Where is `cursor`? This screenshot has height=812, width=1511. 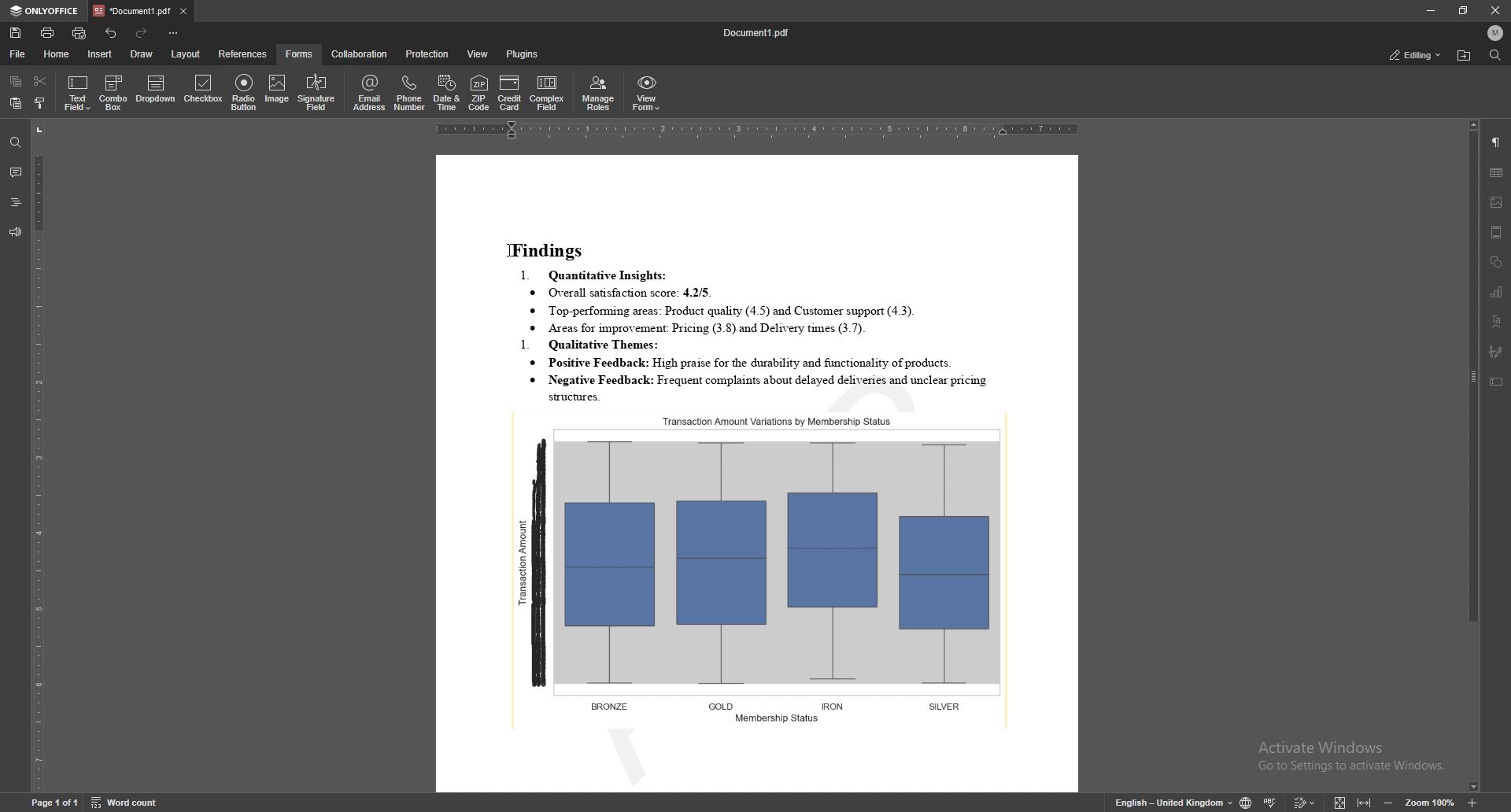 cursor is located at coordinates (511, 250).